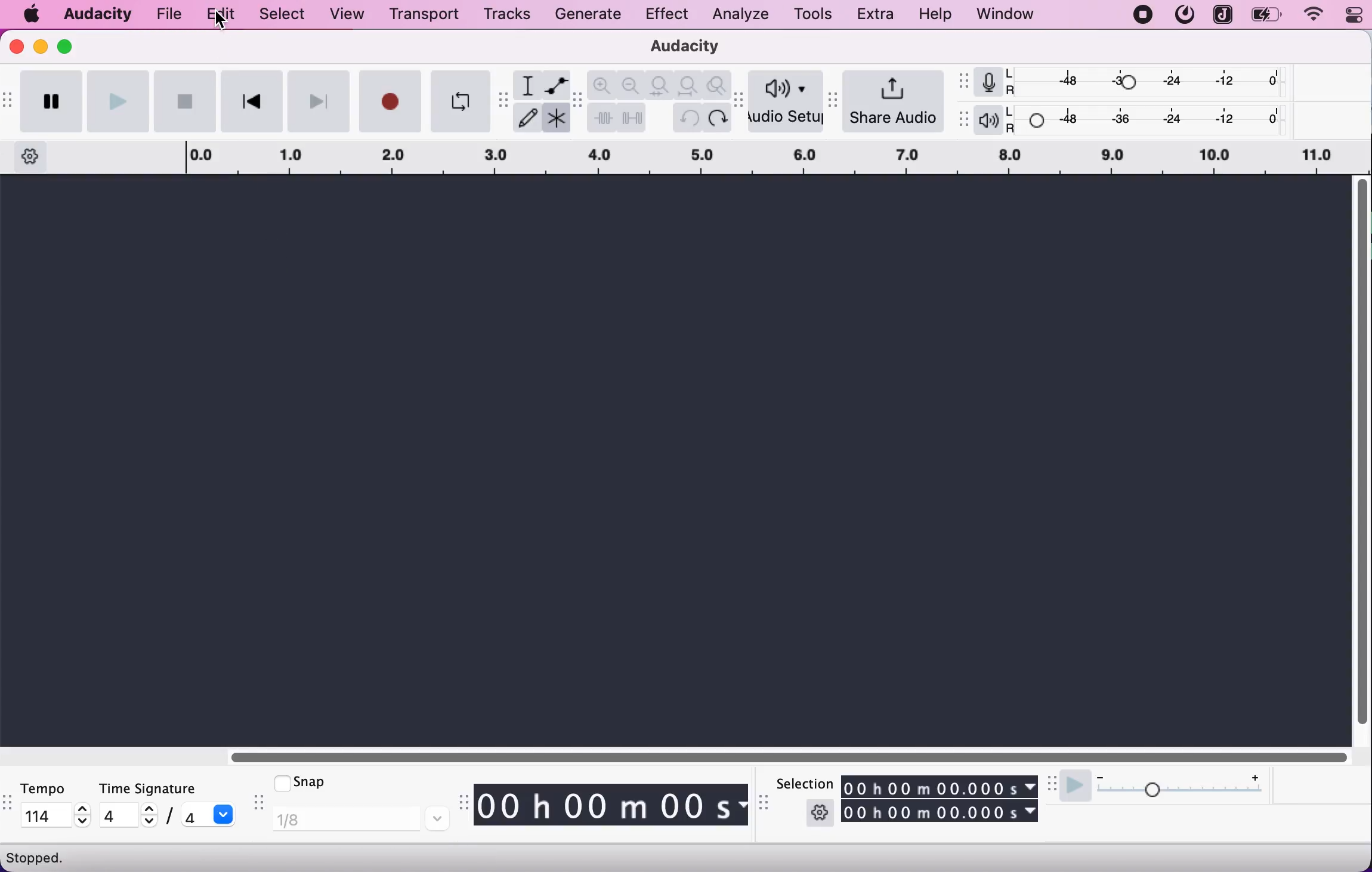  I want to click on zoom out, so click(632, 84).